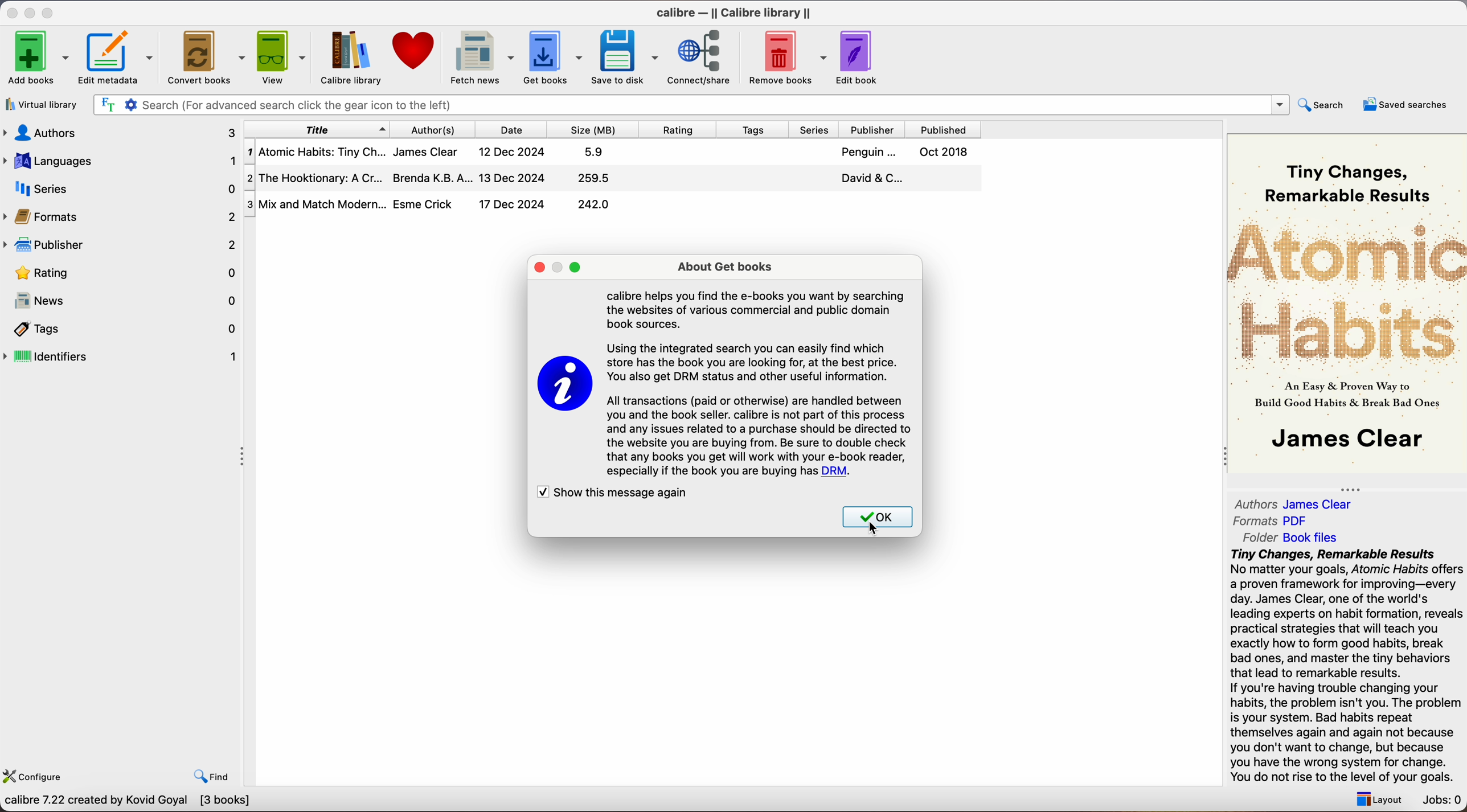 The height and width of the screenshot is (812, 1467). Describe the element at coordinates (563, 386) in the screenshot. I see `icon` at that location.